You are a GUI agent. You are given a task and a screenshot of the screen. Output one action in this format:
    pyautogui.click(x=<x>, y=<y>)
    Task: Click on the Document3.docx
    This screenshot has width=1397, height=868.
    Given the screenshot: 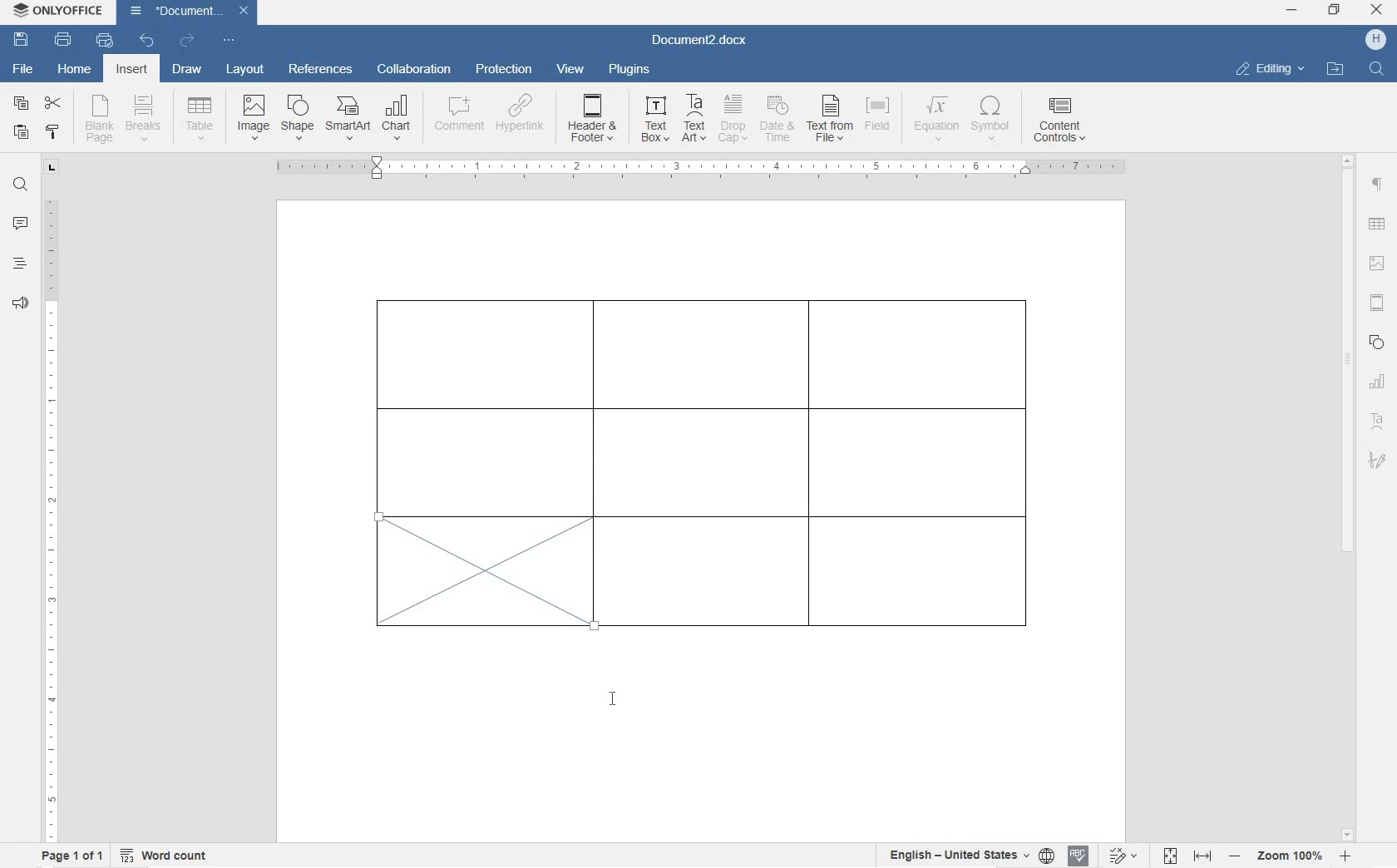 What is the action you would take?
    pyautogui.click(x=704, y=42)
    